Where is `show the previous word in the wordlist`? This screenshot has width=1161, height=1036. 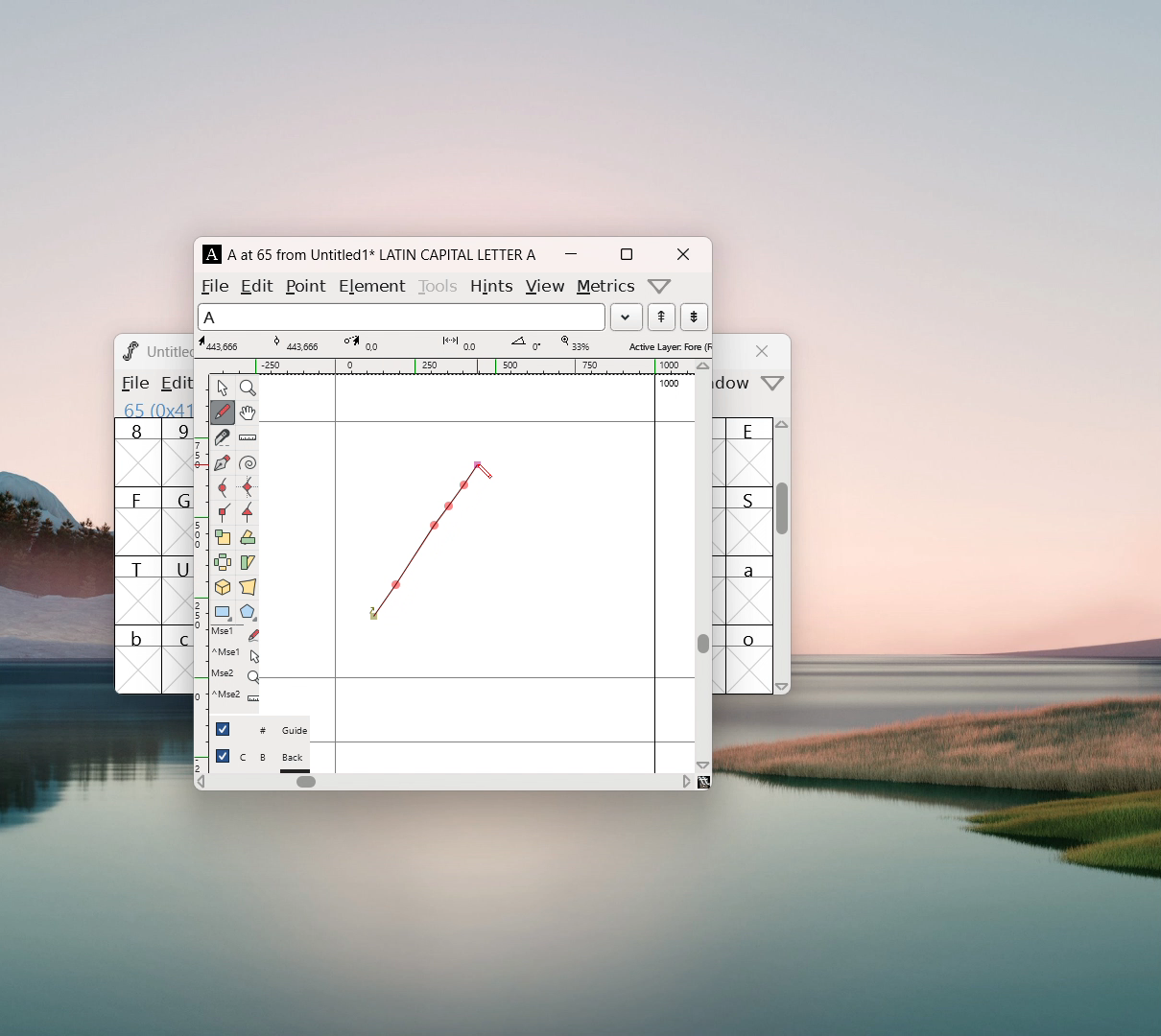 show the previous word in the wordlist is located at coordinates (694, 317).